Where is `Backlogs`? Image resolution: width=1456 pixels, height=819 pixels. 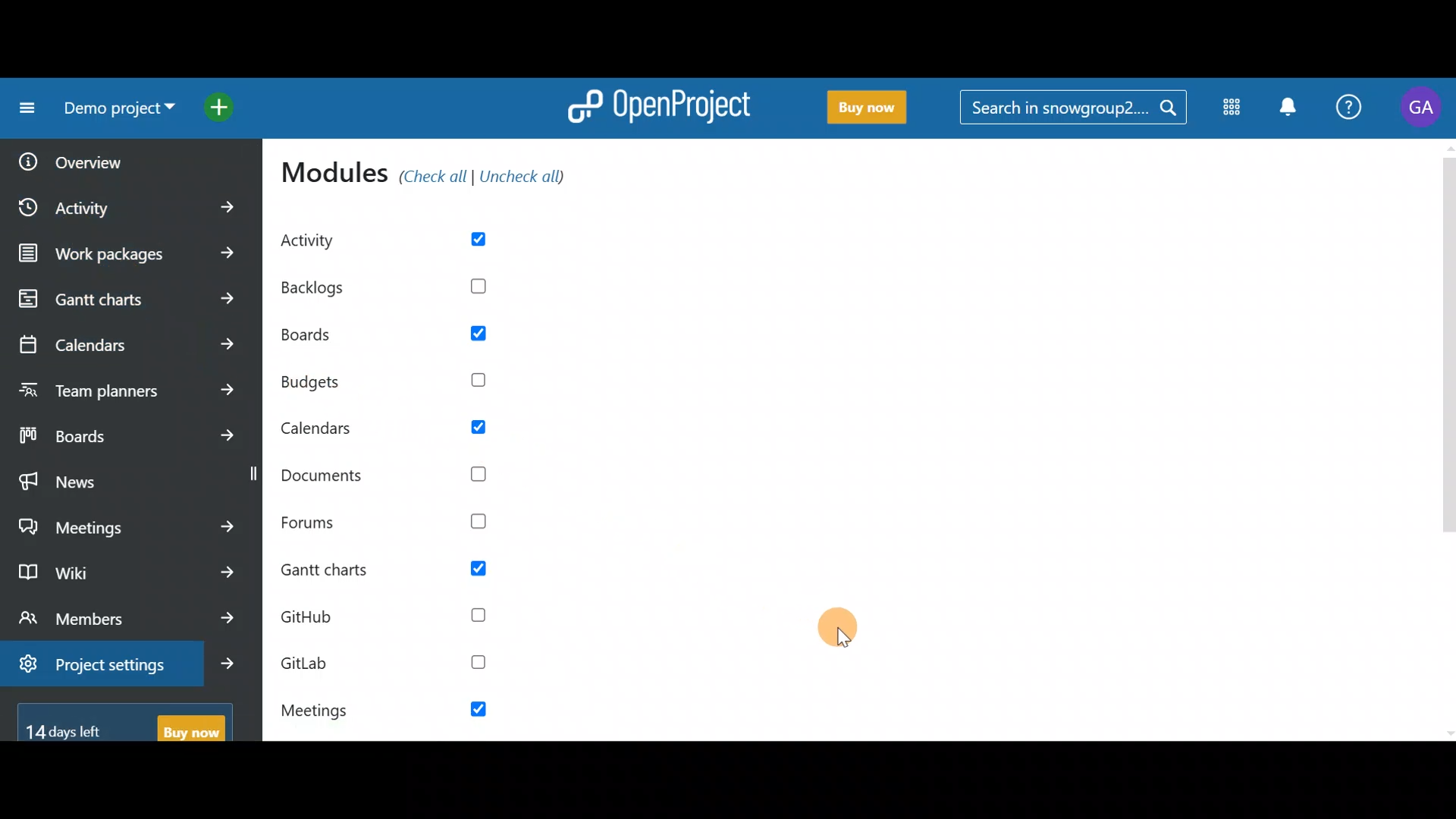
Backlogs is located at coordinates (402, 281).